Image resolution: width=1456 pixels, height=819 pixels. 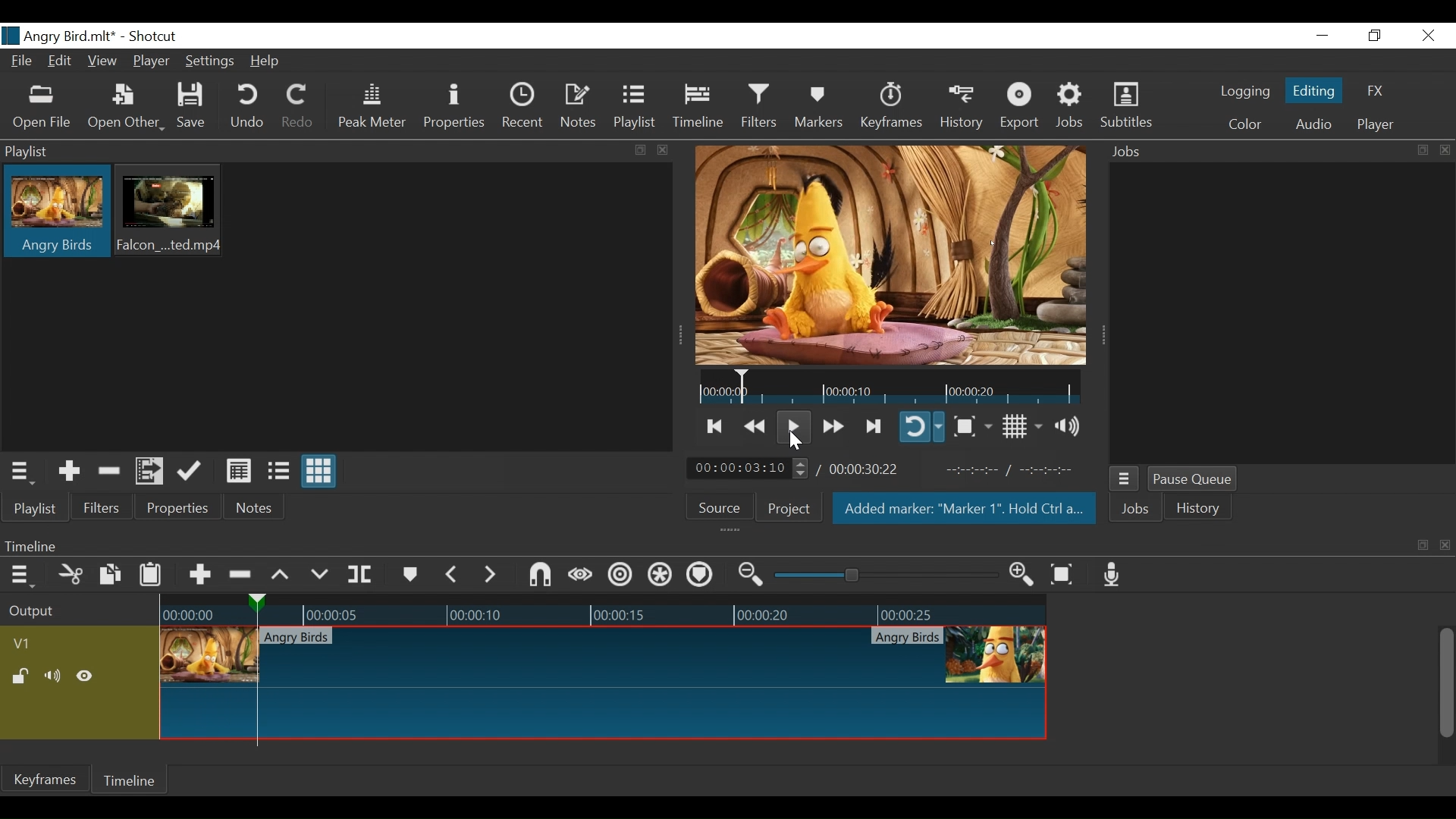 I want to click on Player, so click(x=152, y=63).